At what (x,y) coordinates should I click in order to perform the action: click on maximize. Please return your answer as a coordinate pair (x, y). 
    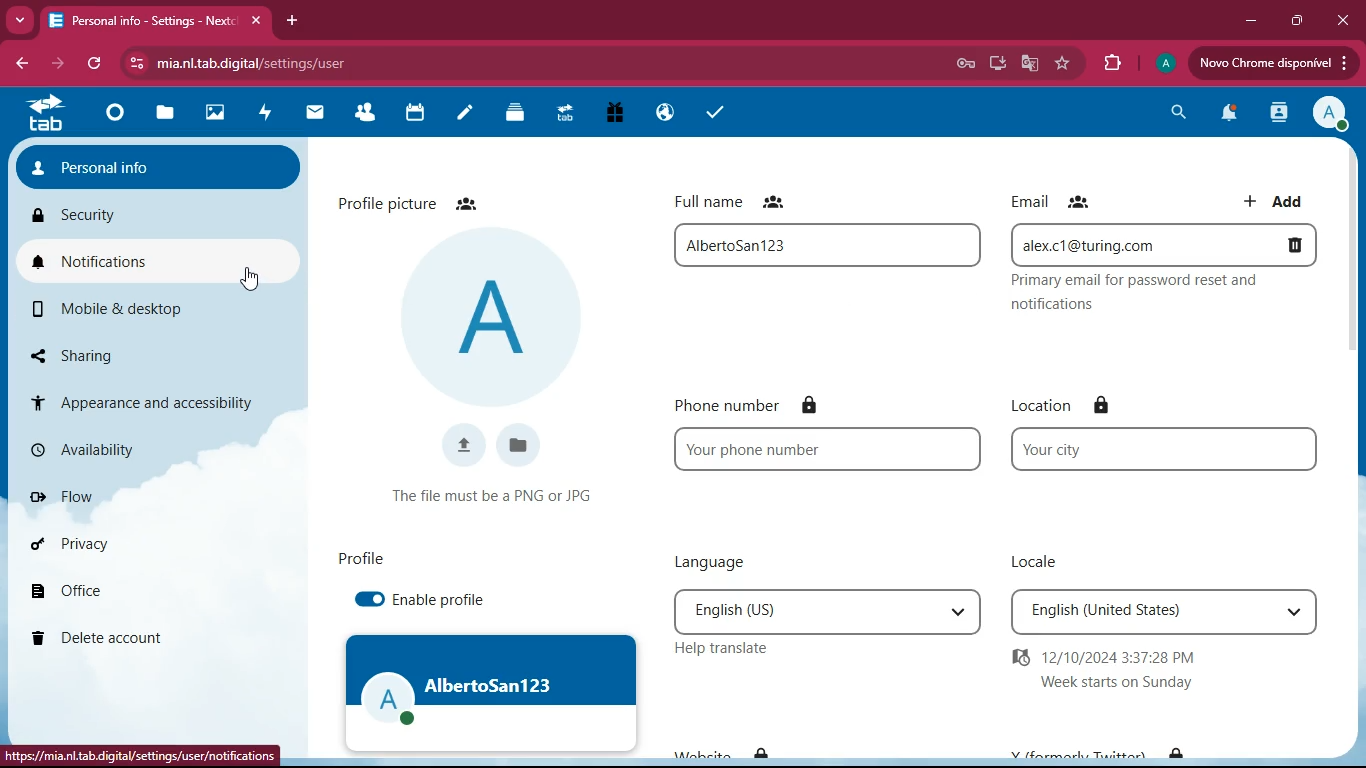
    Looking at the image, I should click on (1293, 22).